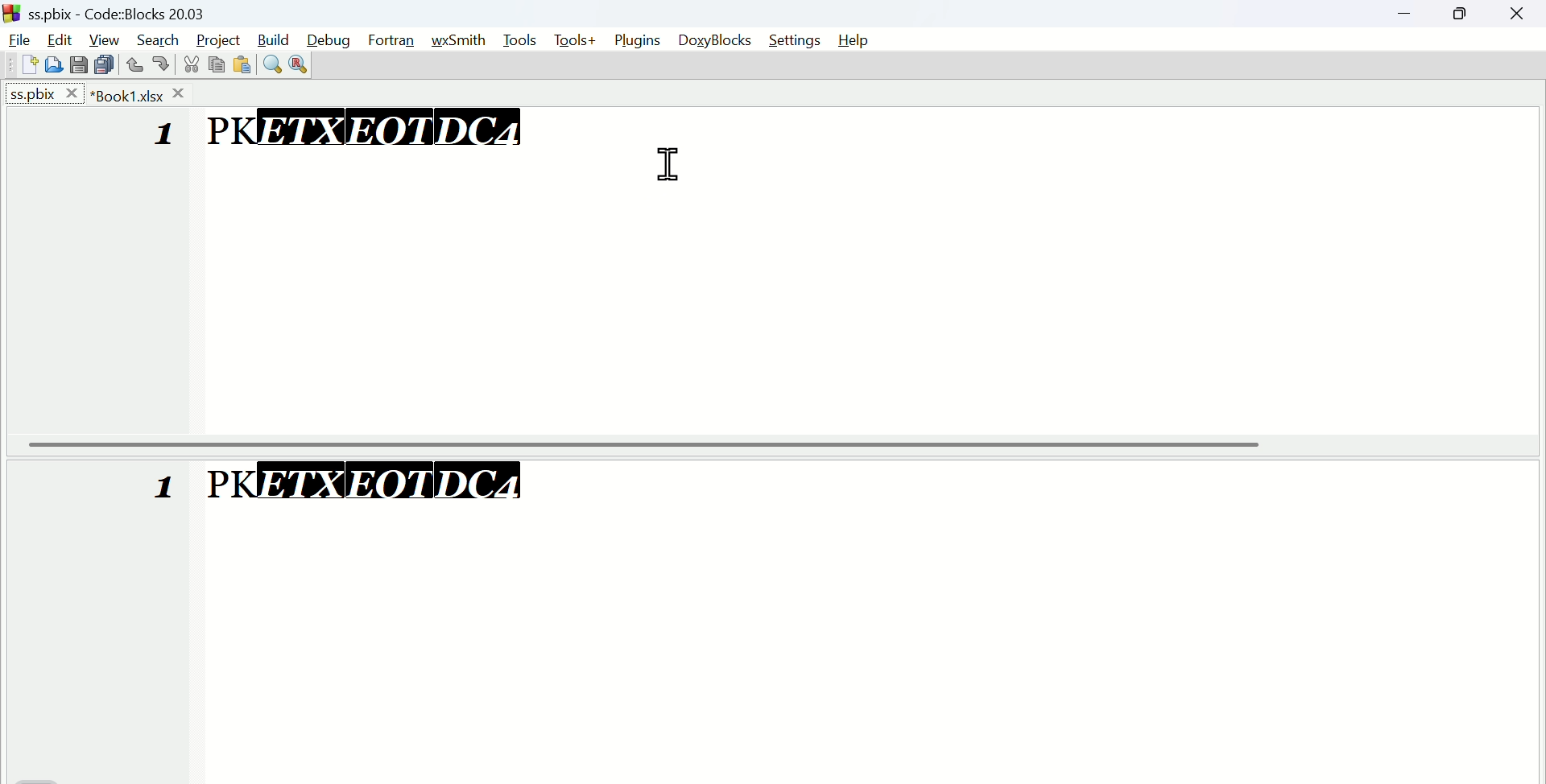  I want to click on help, so click(853, 41).